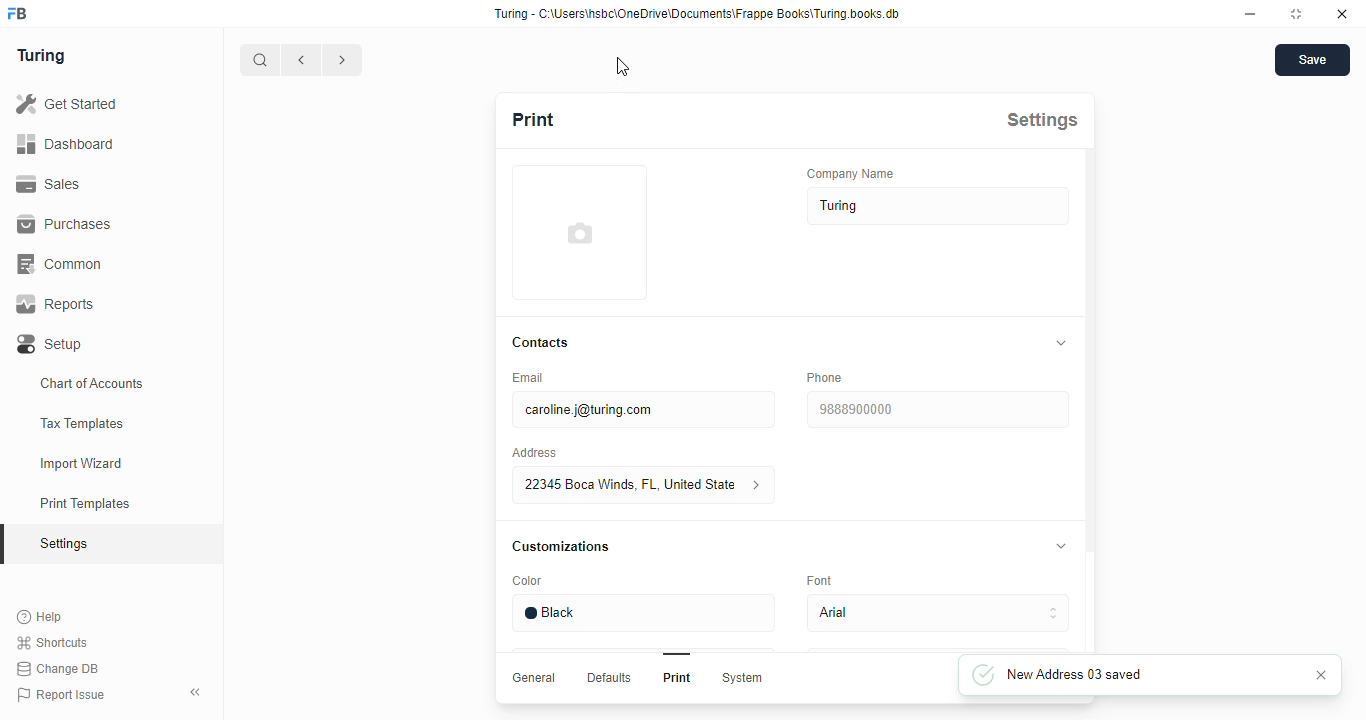  I want to click on black, so click(644, 614).